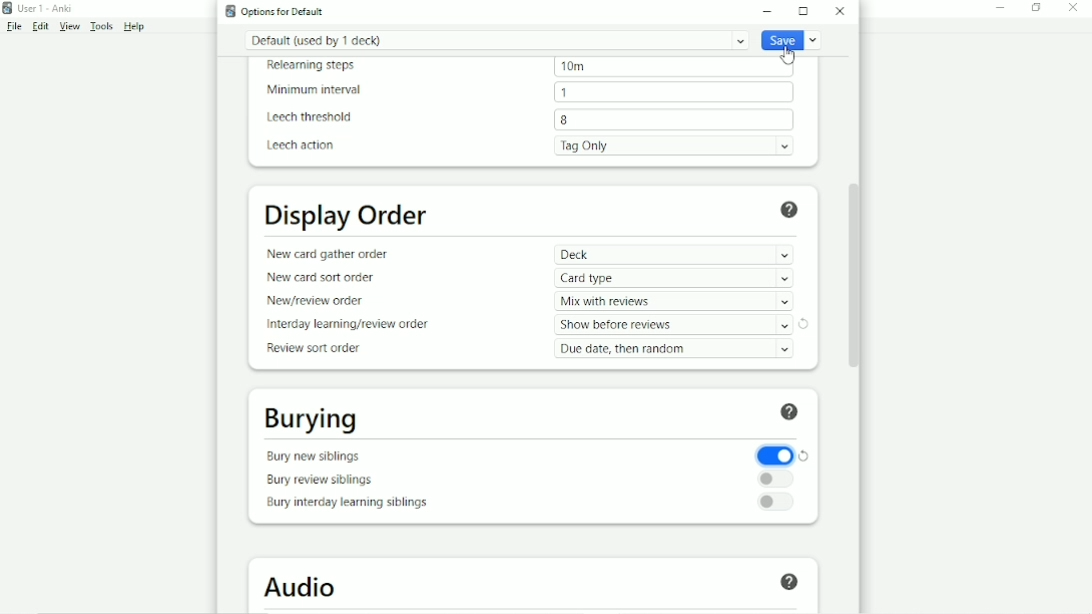 This screenshot has width=1092, height=614. I want to click on Default (used by 1 deck), so click(496, 40).